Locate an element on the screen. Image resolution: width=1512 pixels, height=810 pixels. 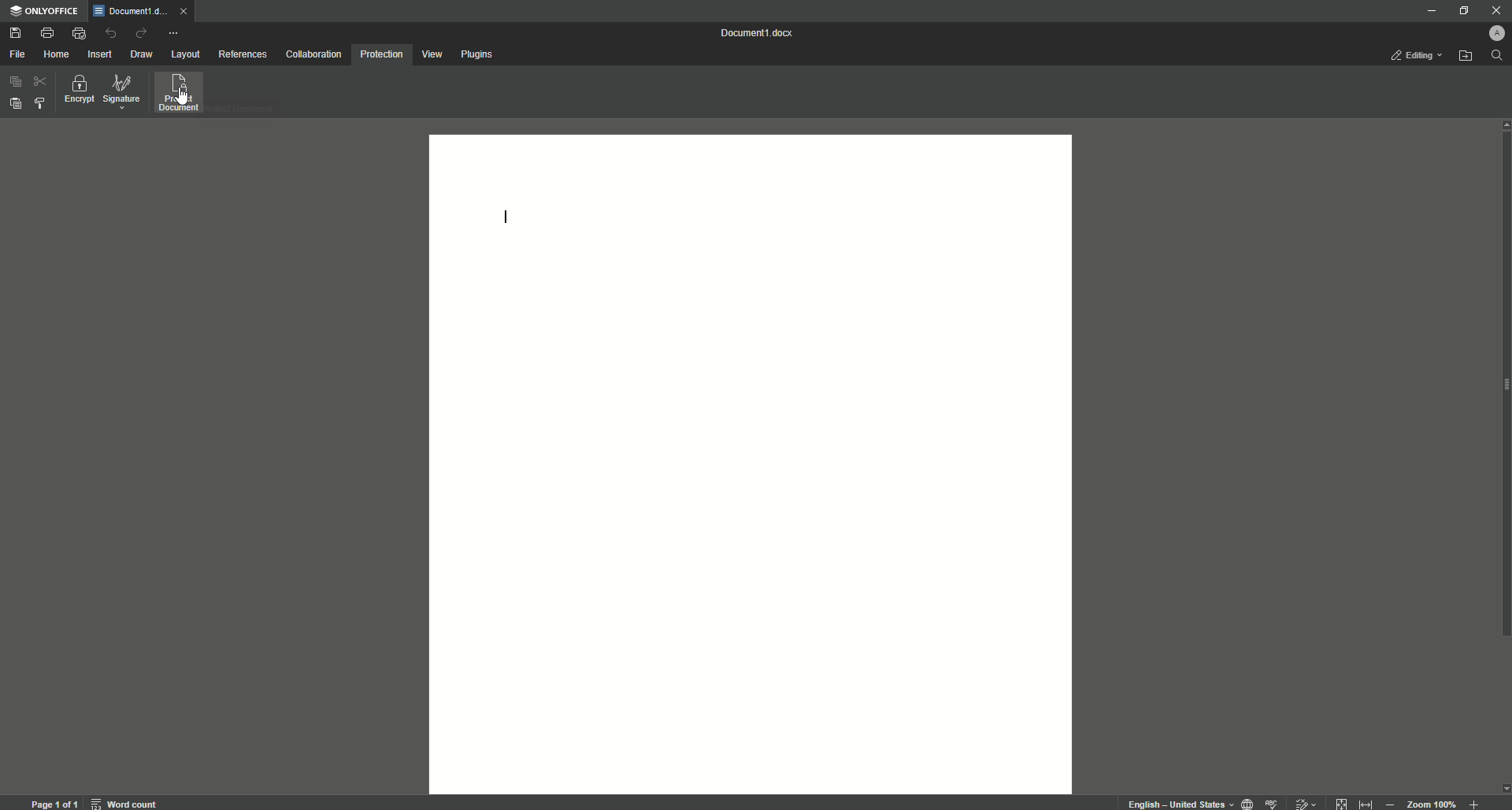
Signature is located at coordinates (122, 92).